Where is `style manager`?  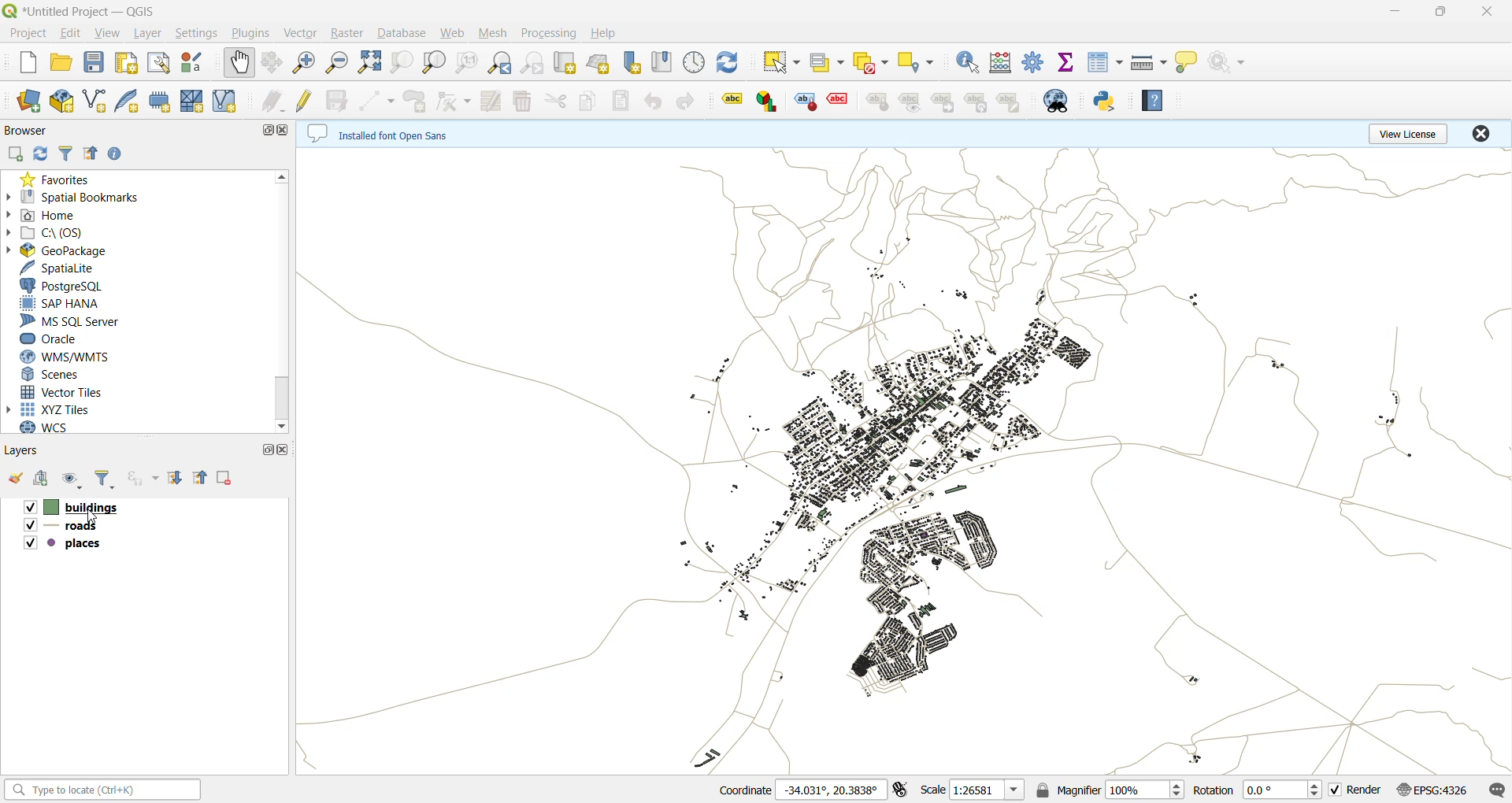
style manager is located at coordinates (195, 63).